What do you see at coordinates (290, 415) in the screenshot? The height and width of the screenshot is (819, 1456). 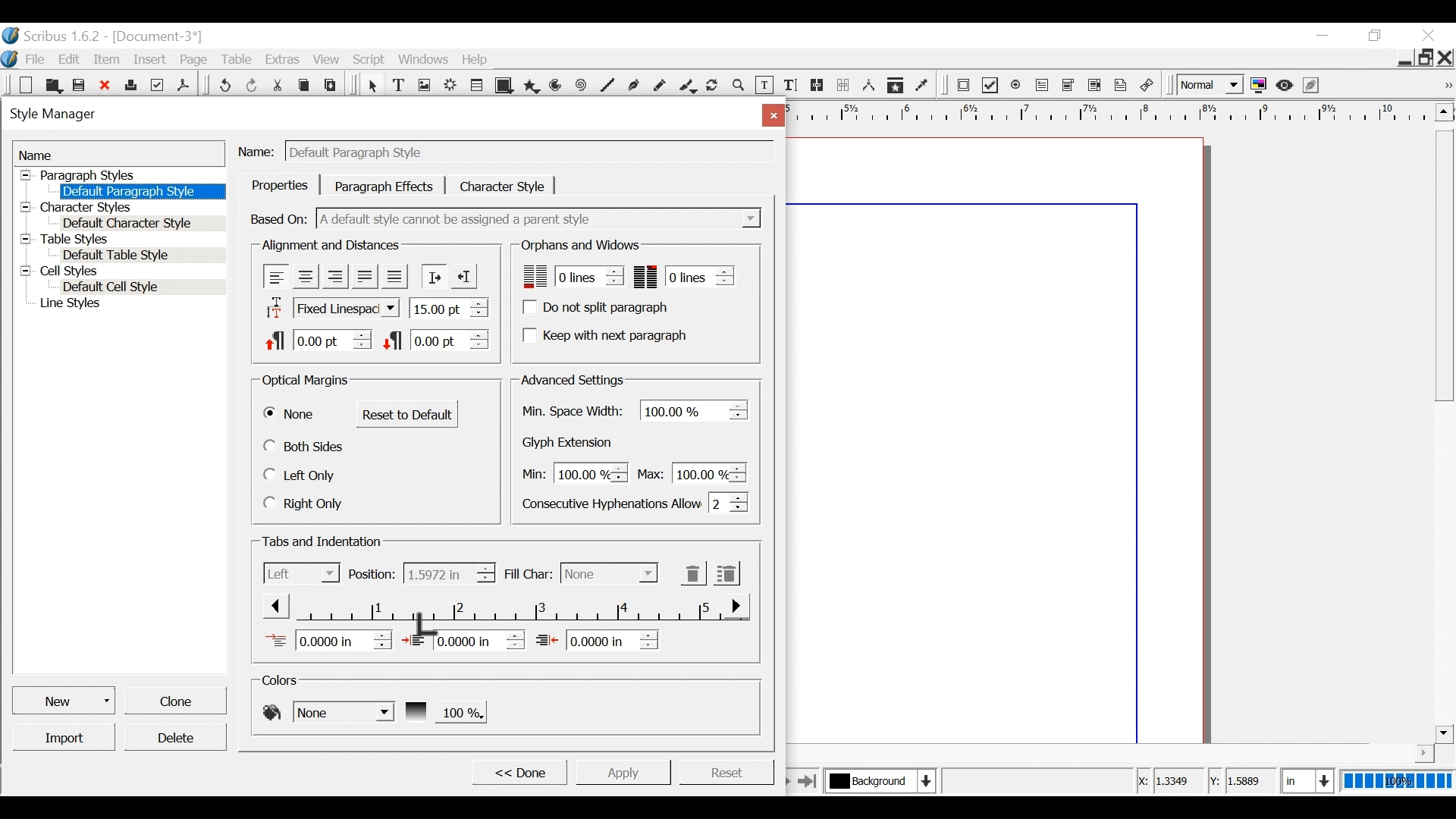 I see `(un)select none` at bounding box center [290, 415].